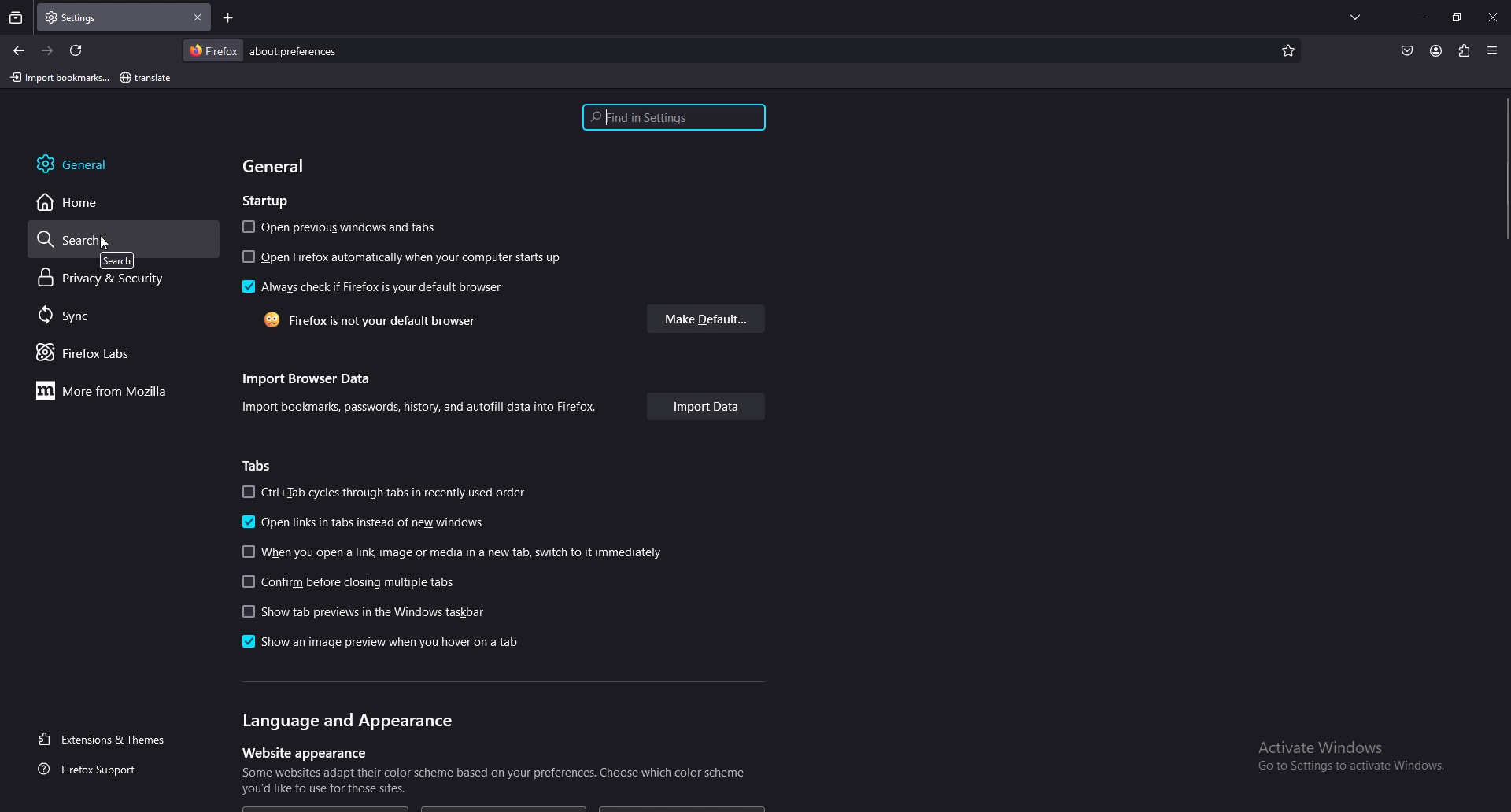 The height and width of the screenshot is (812, 1511). Describe the element at coordinates (353, 581) in the screenshot. I see `confirm before closing multiple tabs` at that location.